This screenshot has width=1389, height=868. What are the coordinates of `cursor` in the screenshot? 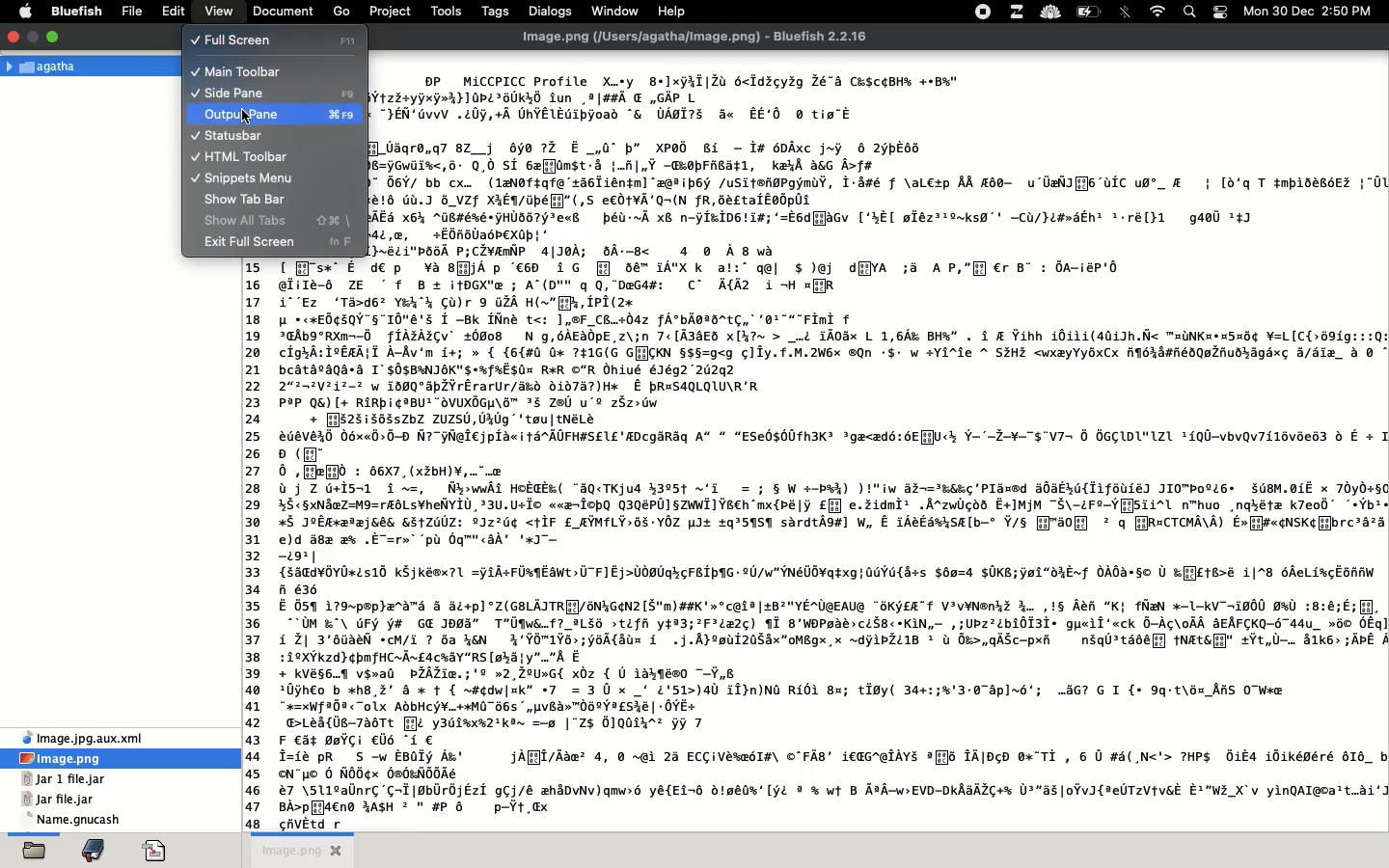 It's located at (250, 115).